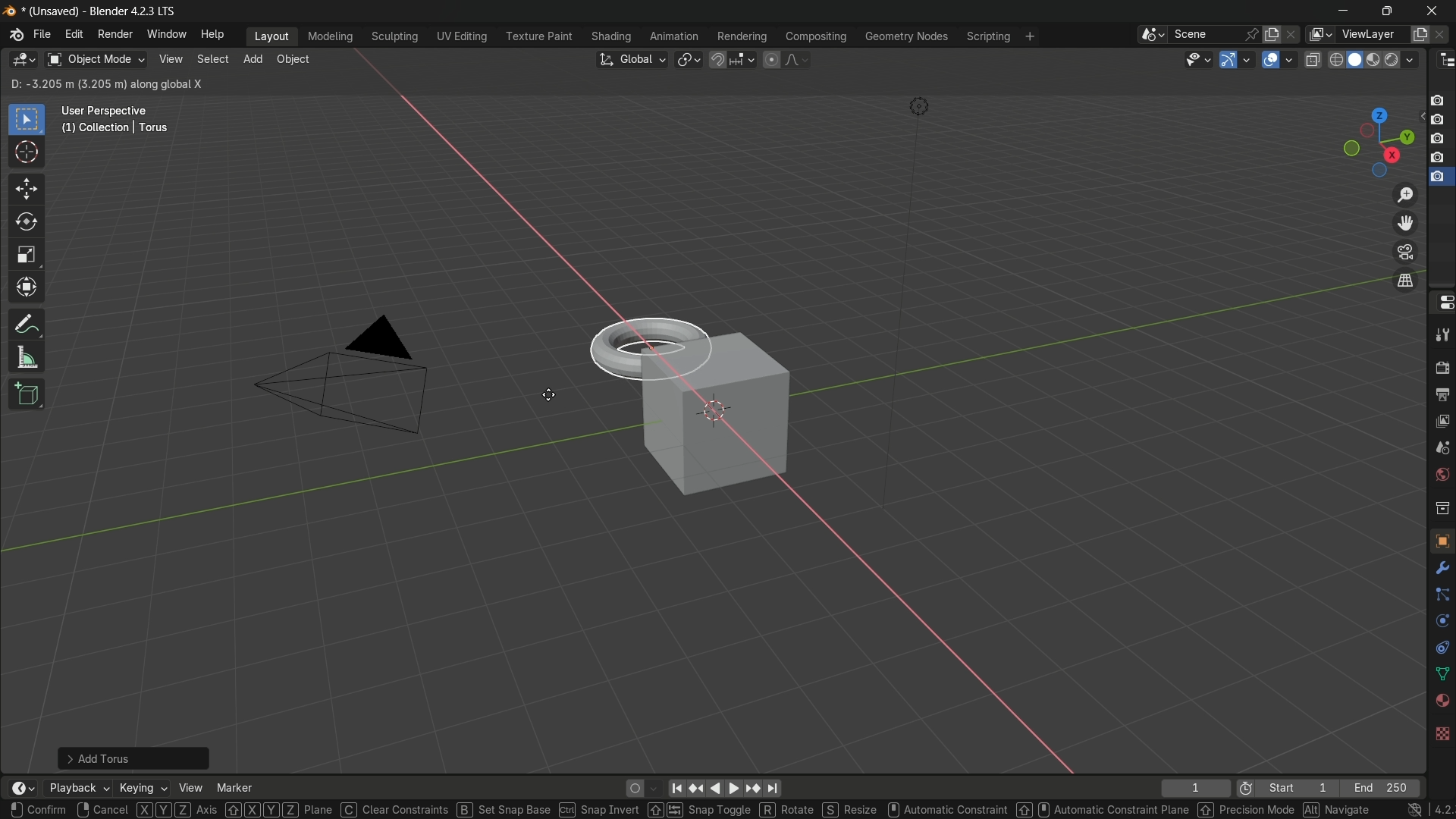 The height and width of the screenshot is (819, 1456). I want to click on window menu, so click(165, 33).